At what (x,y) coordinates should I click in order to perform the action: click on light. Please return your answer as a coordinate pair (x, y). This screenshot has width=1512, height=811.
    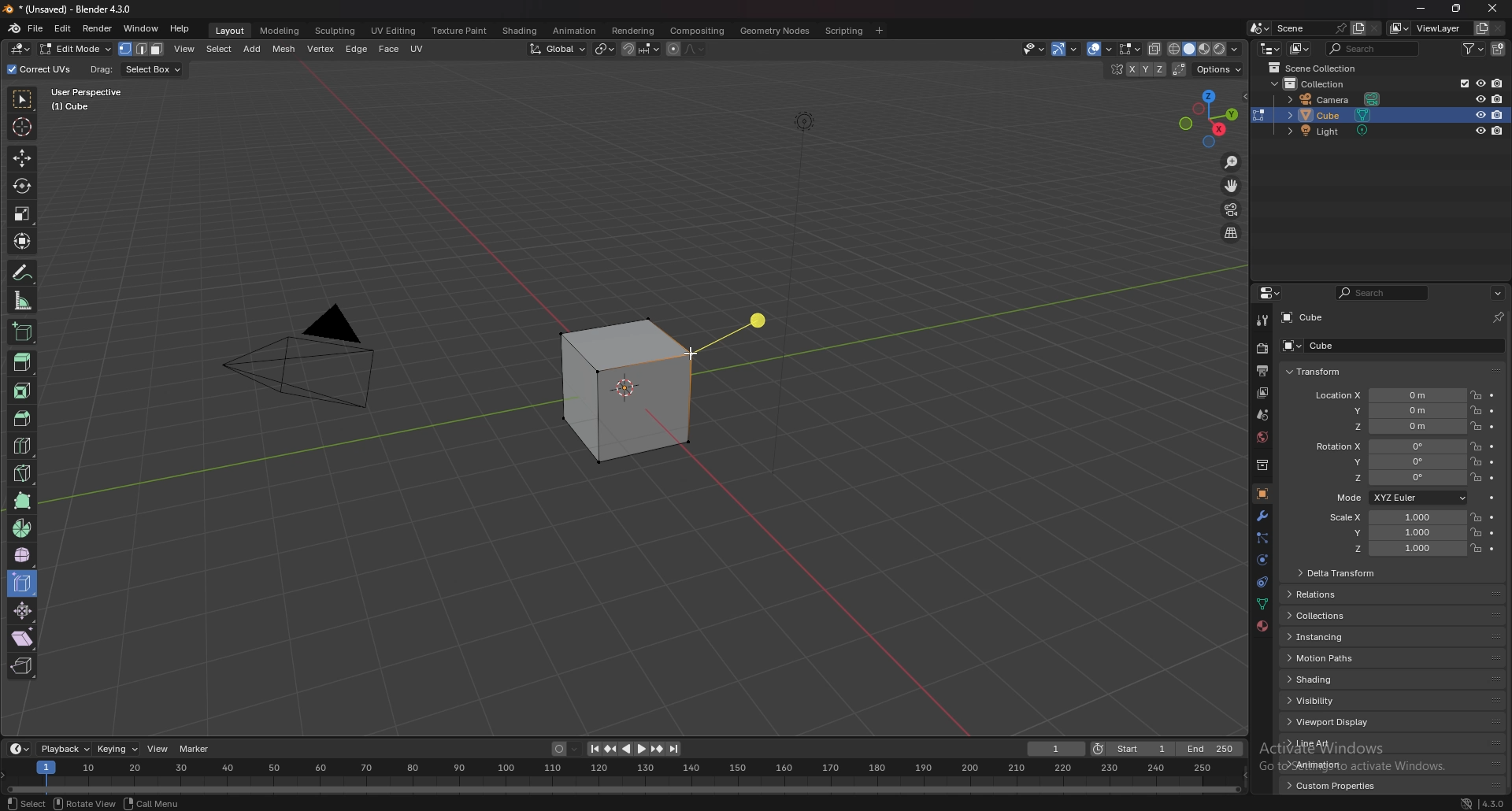
    Looking at the image, I should click on (1336, 133).